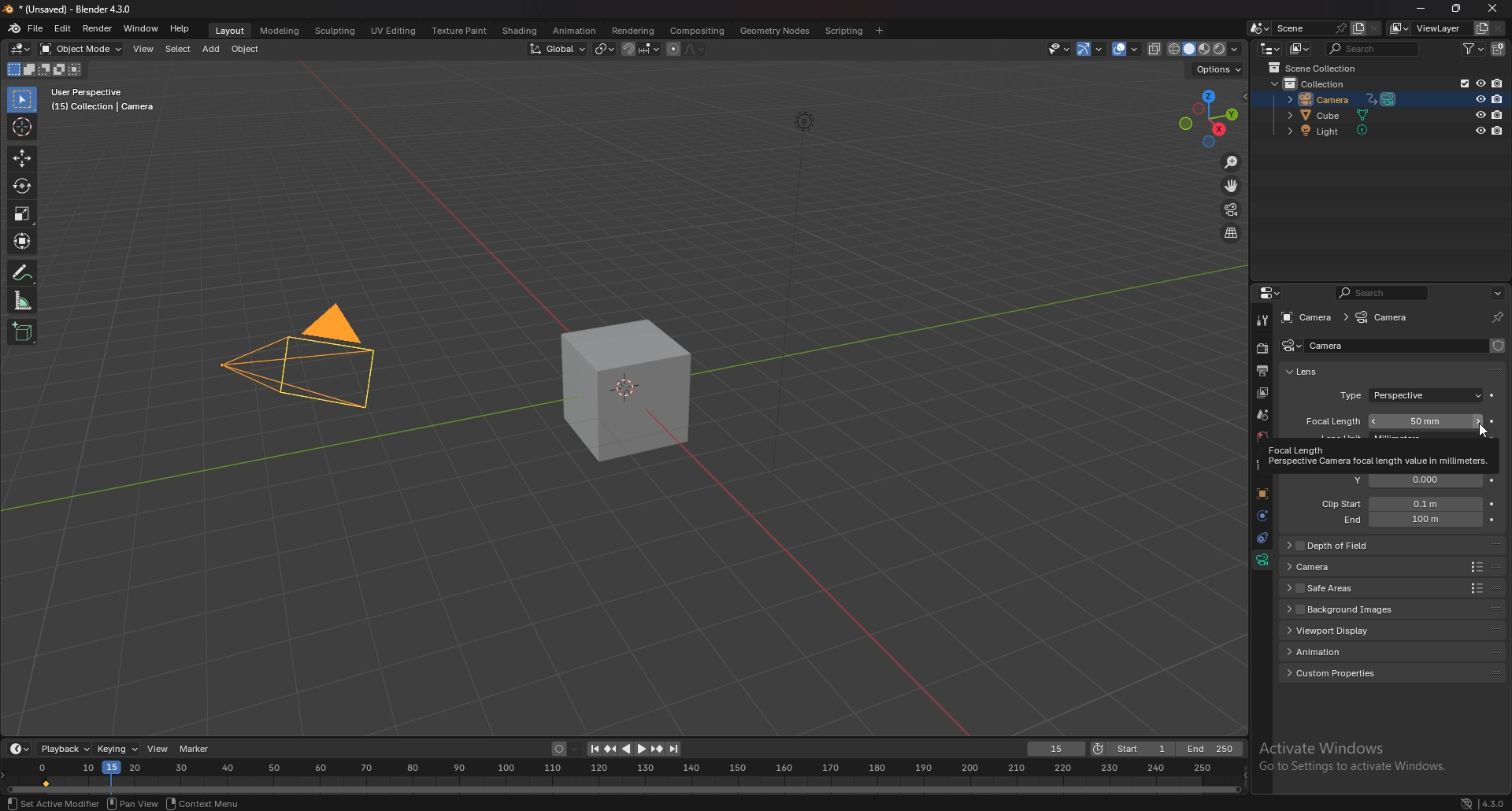  Describe the element at coordinates (1458, 10) in the screenshot. I see `resize` at that location.